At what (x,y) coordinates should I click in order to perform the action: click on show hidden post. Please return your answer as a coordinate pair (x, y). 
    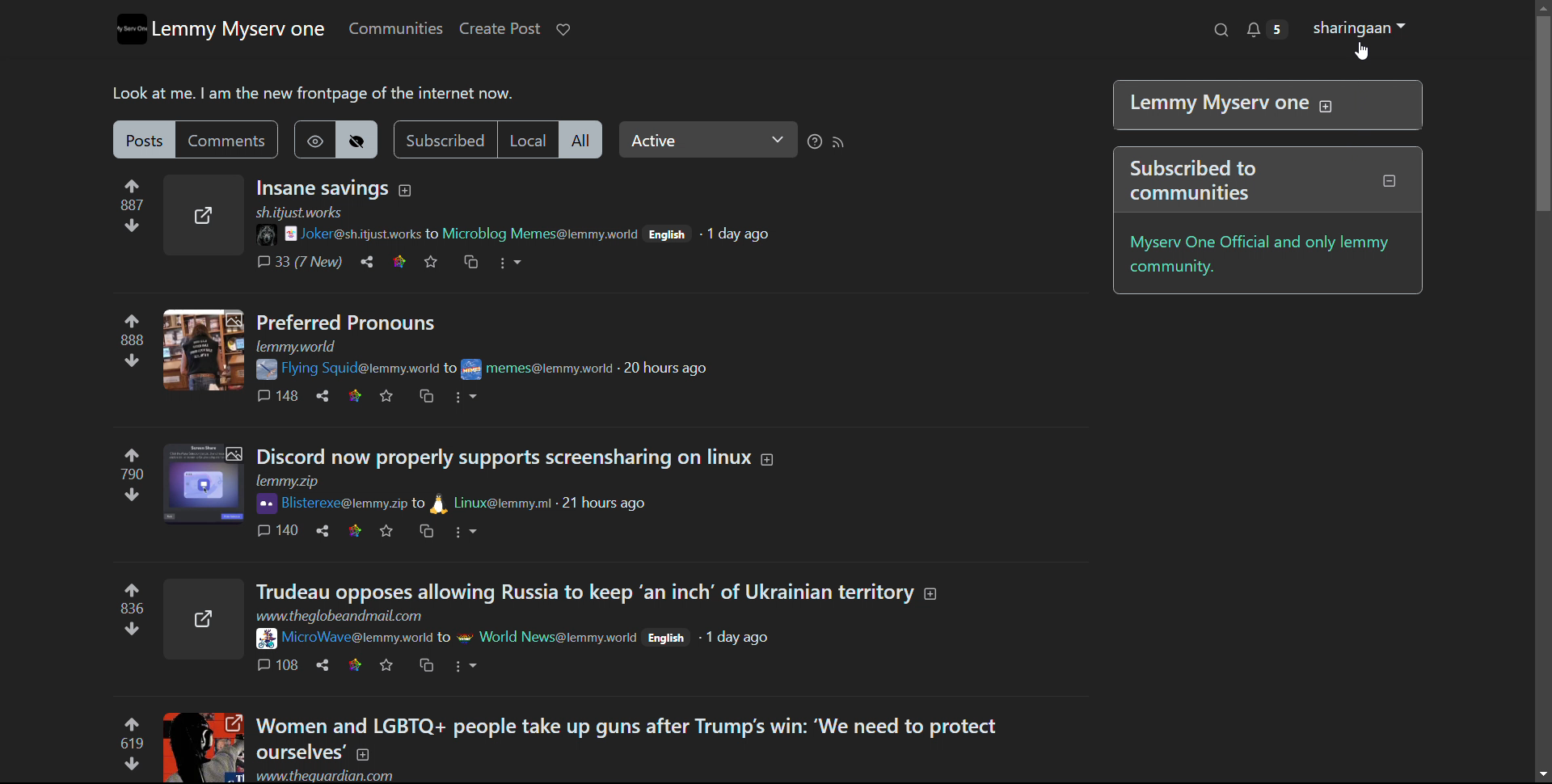
    Looking at the image, I should click on (312, 140).